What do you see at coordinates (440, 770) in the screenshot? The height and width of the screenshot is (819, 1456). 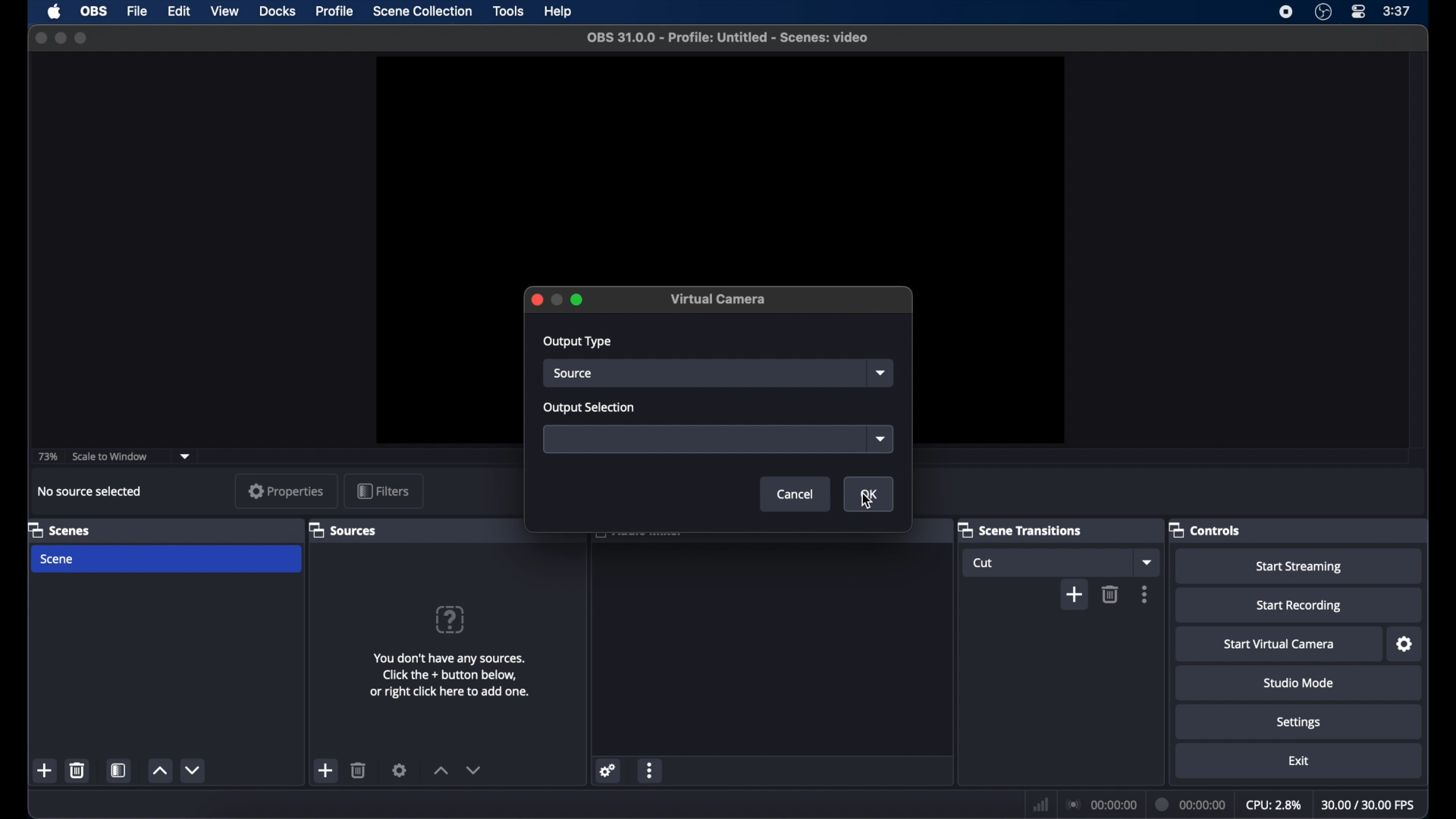 I see `increment` at bounding box center [440, 770].